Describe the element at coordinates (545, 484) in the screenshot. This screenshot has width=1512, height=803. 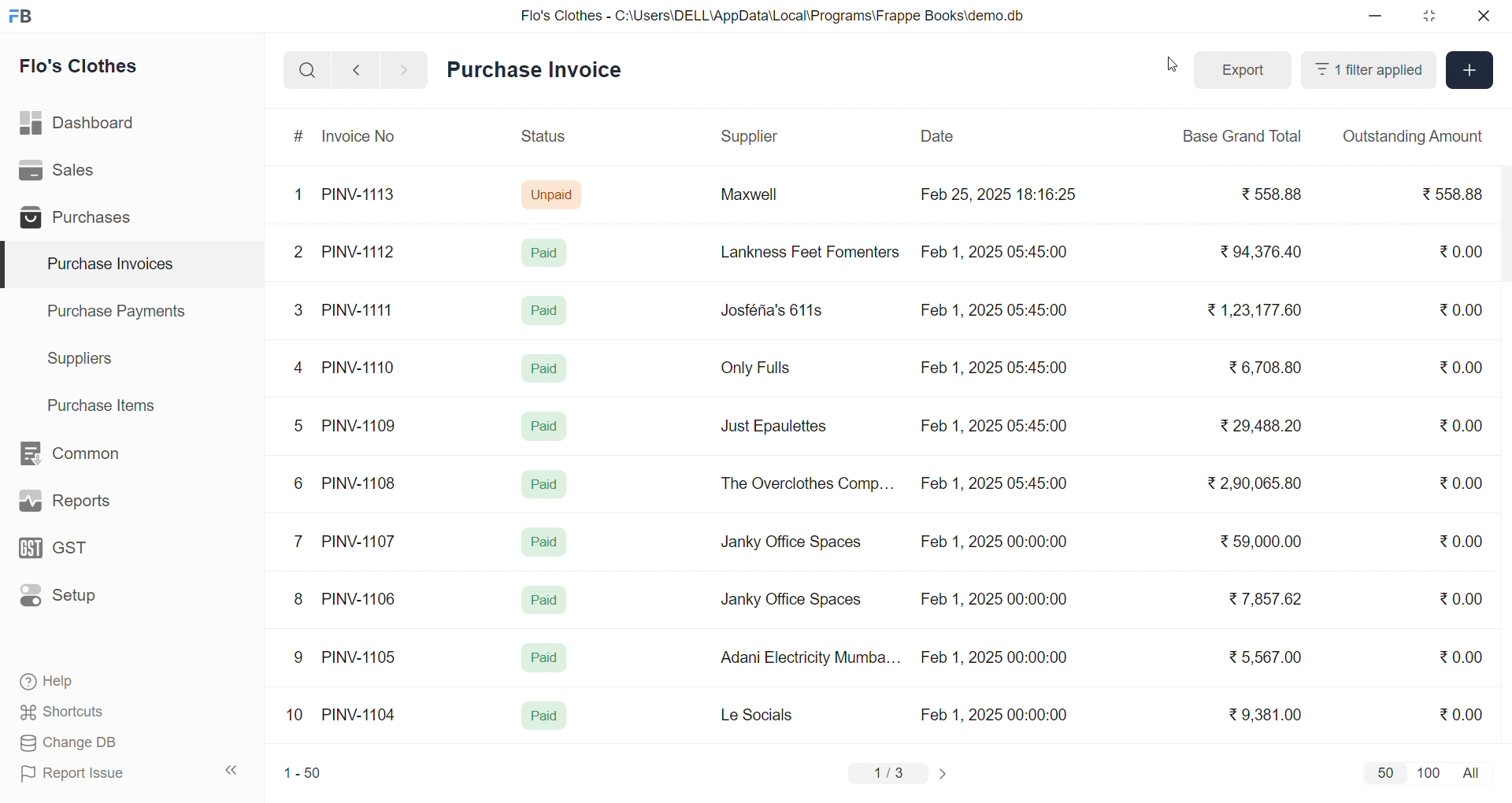
I see `Paid` at that location.